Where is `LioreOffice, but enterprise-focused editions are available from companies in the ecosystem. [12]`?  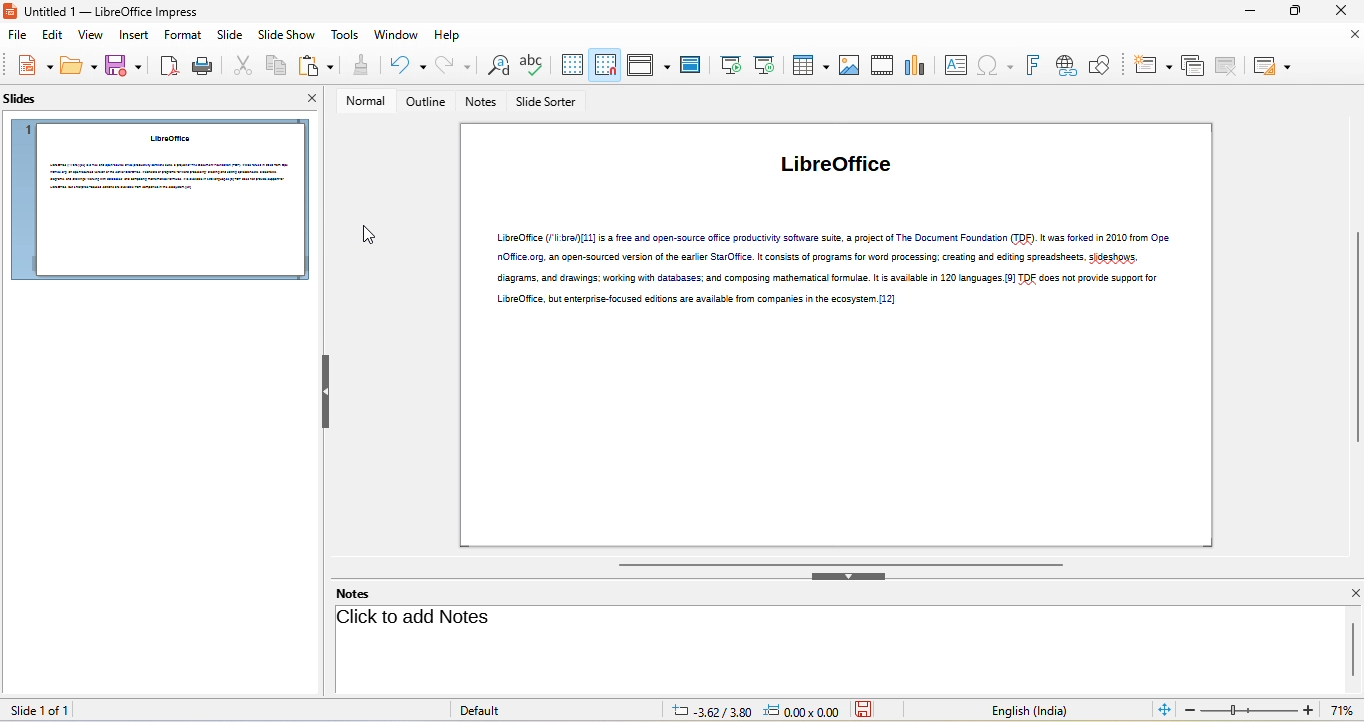 LioreOffice, but enterprise-focused editions are available from companies in the ecosystem. [12] is located at coordinates (703, 300).